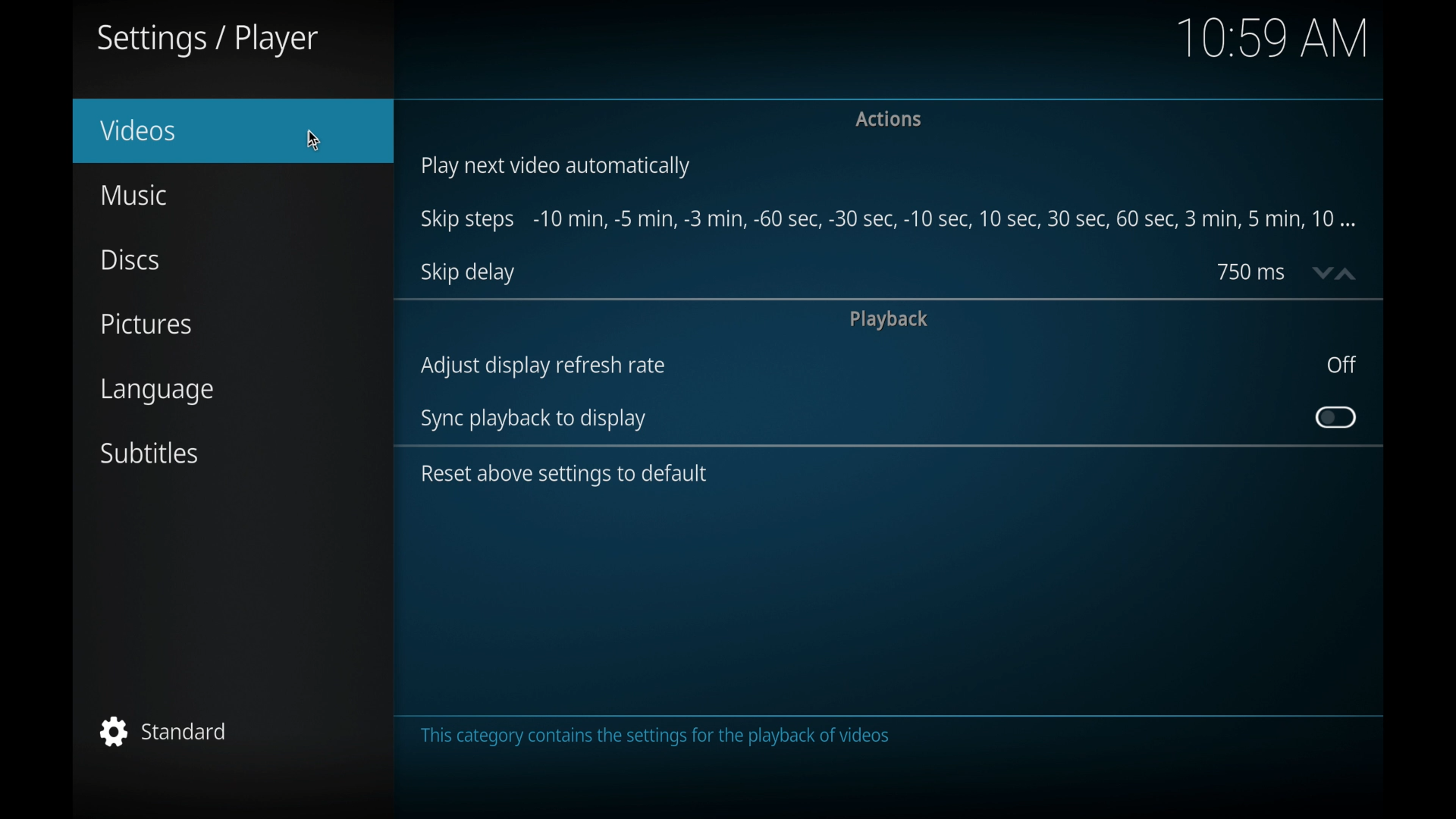 This screenshot has width=1456, height=819. Describe the element at coordinates (889, 120) in the screenshot. I see `actions` at that location.